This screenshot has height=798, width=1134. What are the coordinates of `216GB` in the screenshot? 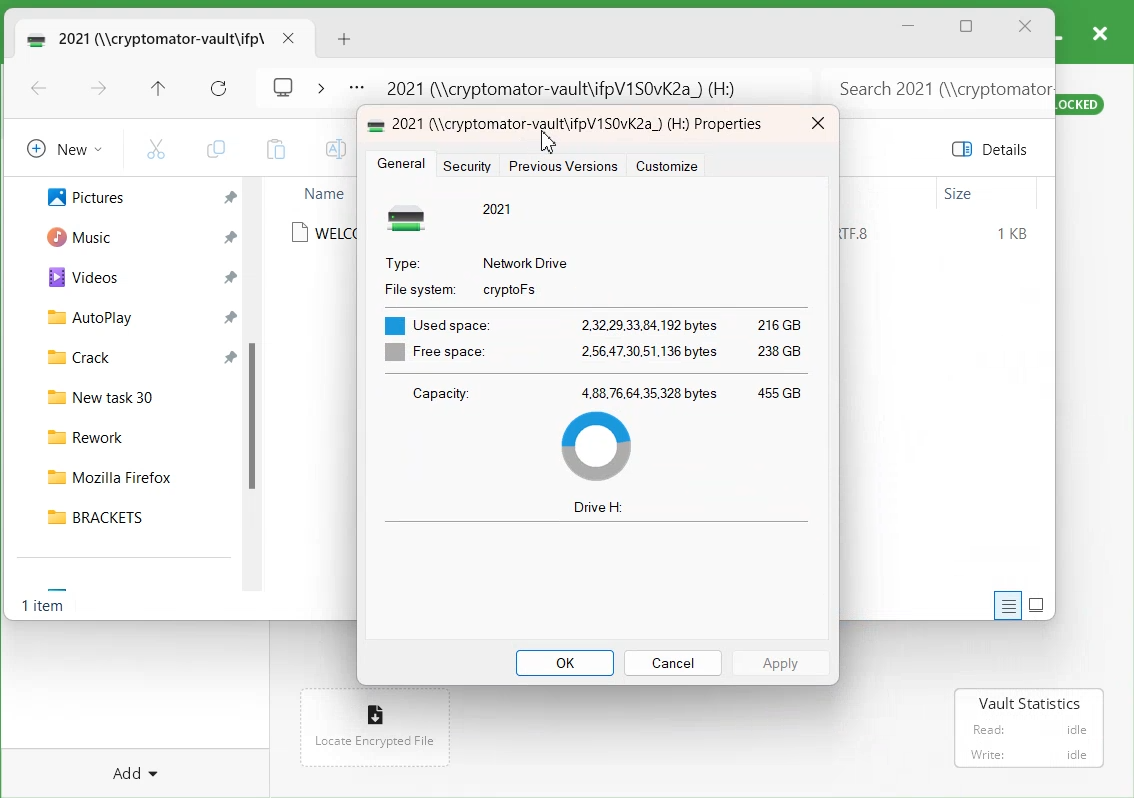 It's located at (777, 323).